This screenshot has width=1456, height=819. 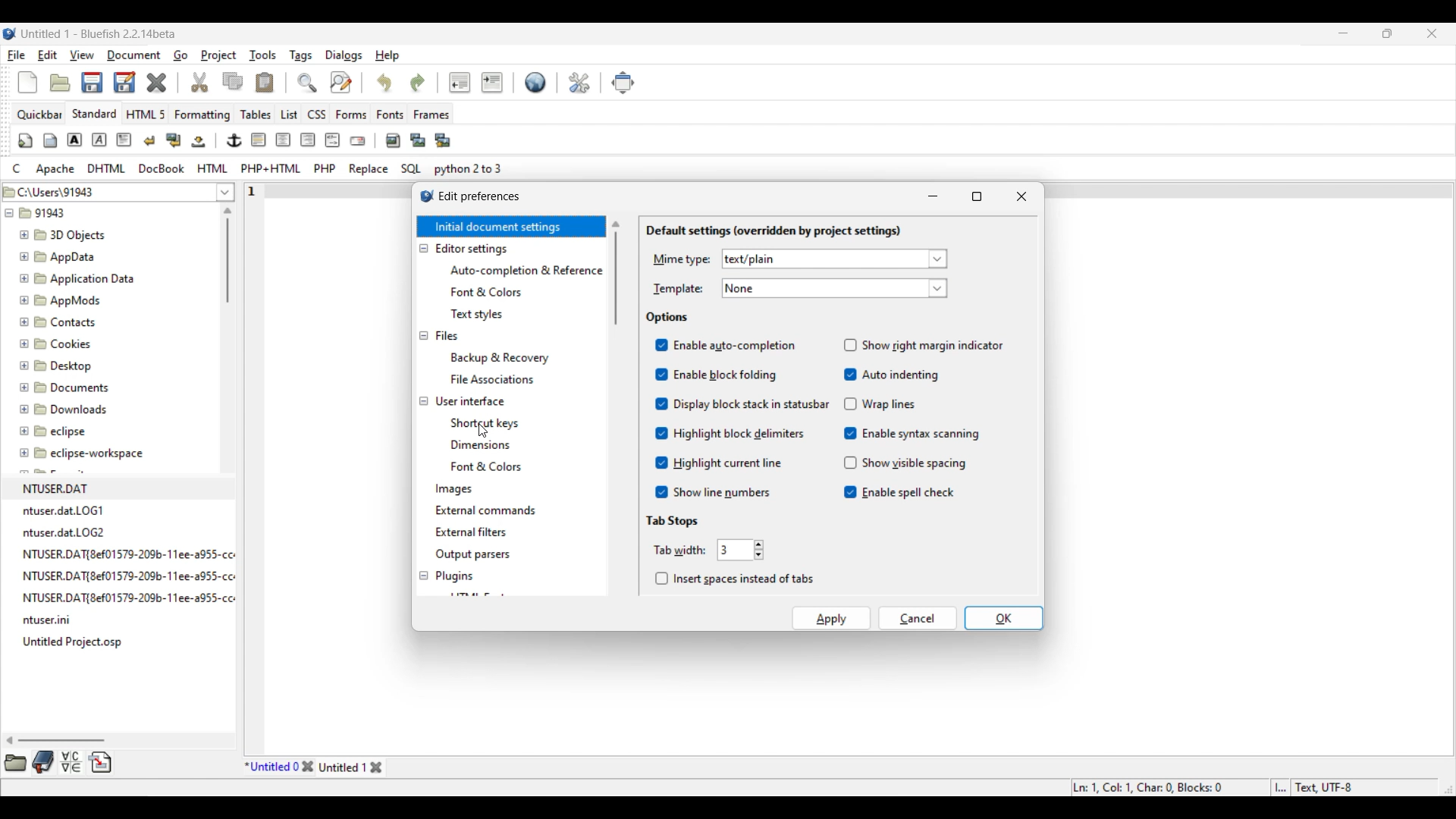 What do you see at coordinates (76, 642) in the screenshot?
I see `untitled project.osp` at bounding box center [76, 642].